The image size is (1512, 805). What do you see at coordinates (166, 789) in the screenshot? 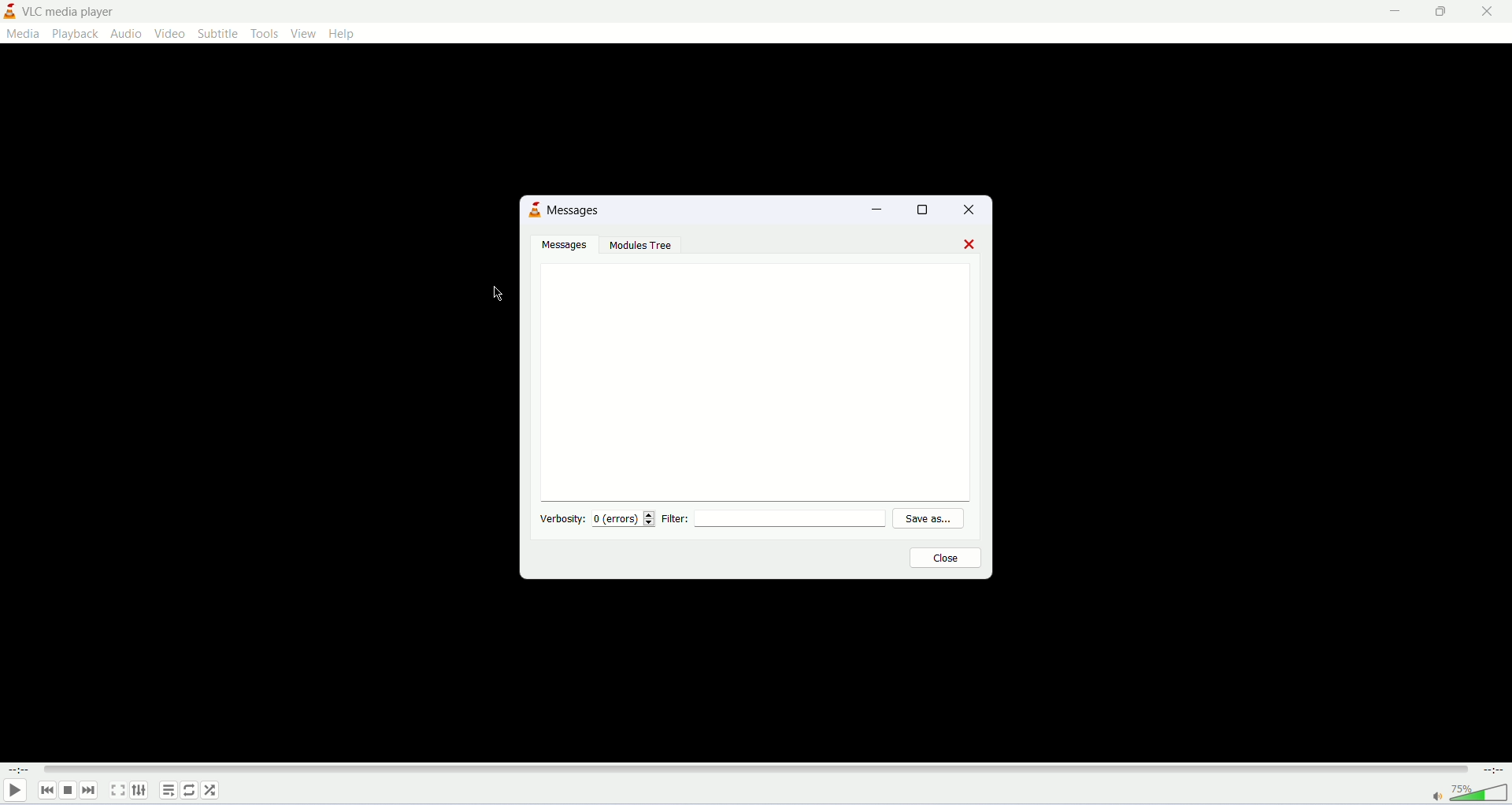
I see `playlist` at bounding box center [166, 789].